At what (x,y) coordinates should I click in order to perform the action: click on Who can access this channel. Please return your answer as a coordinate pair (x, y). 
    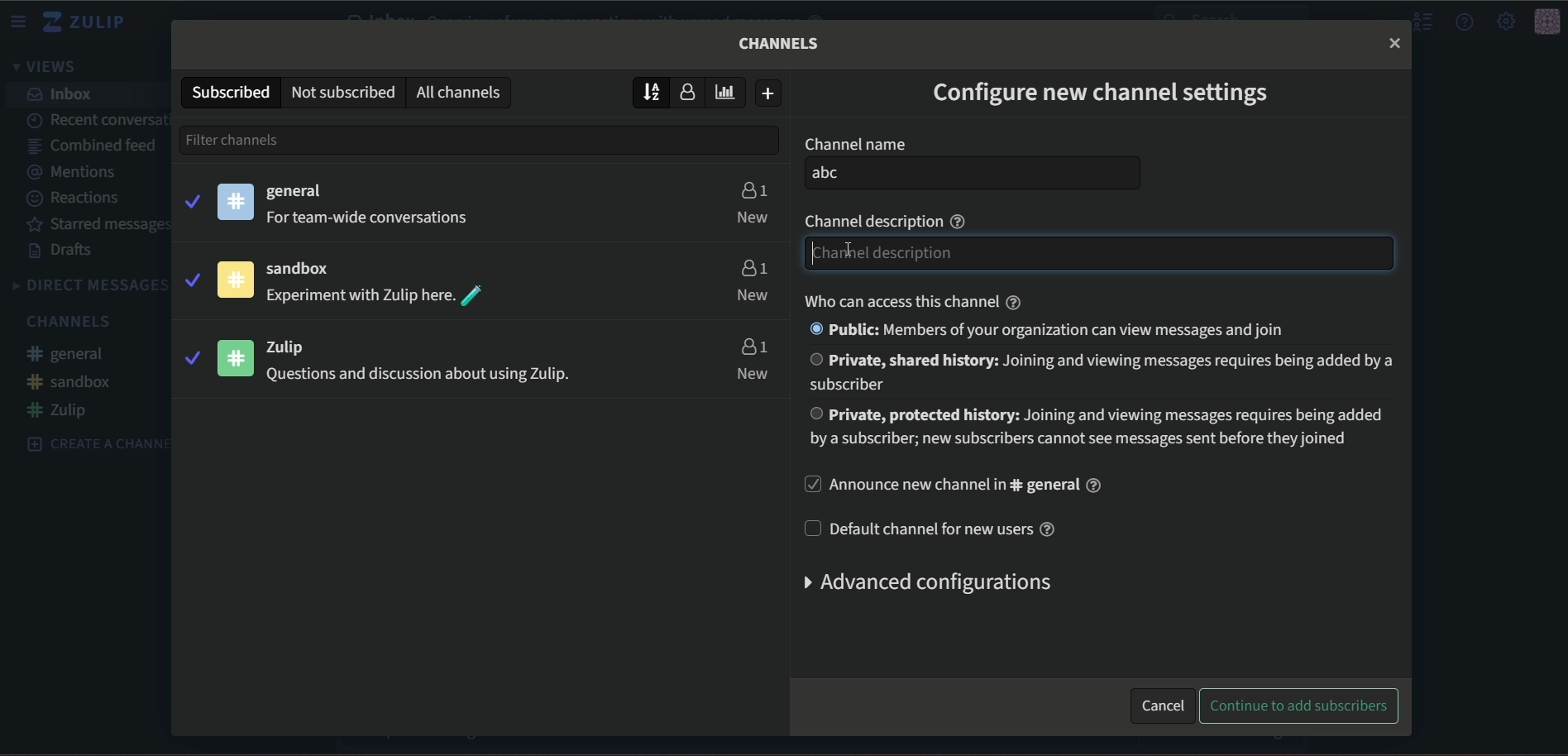
    Looking at the image, I should click on (916, 299).